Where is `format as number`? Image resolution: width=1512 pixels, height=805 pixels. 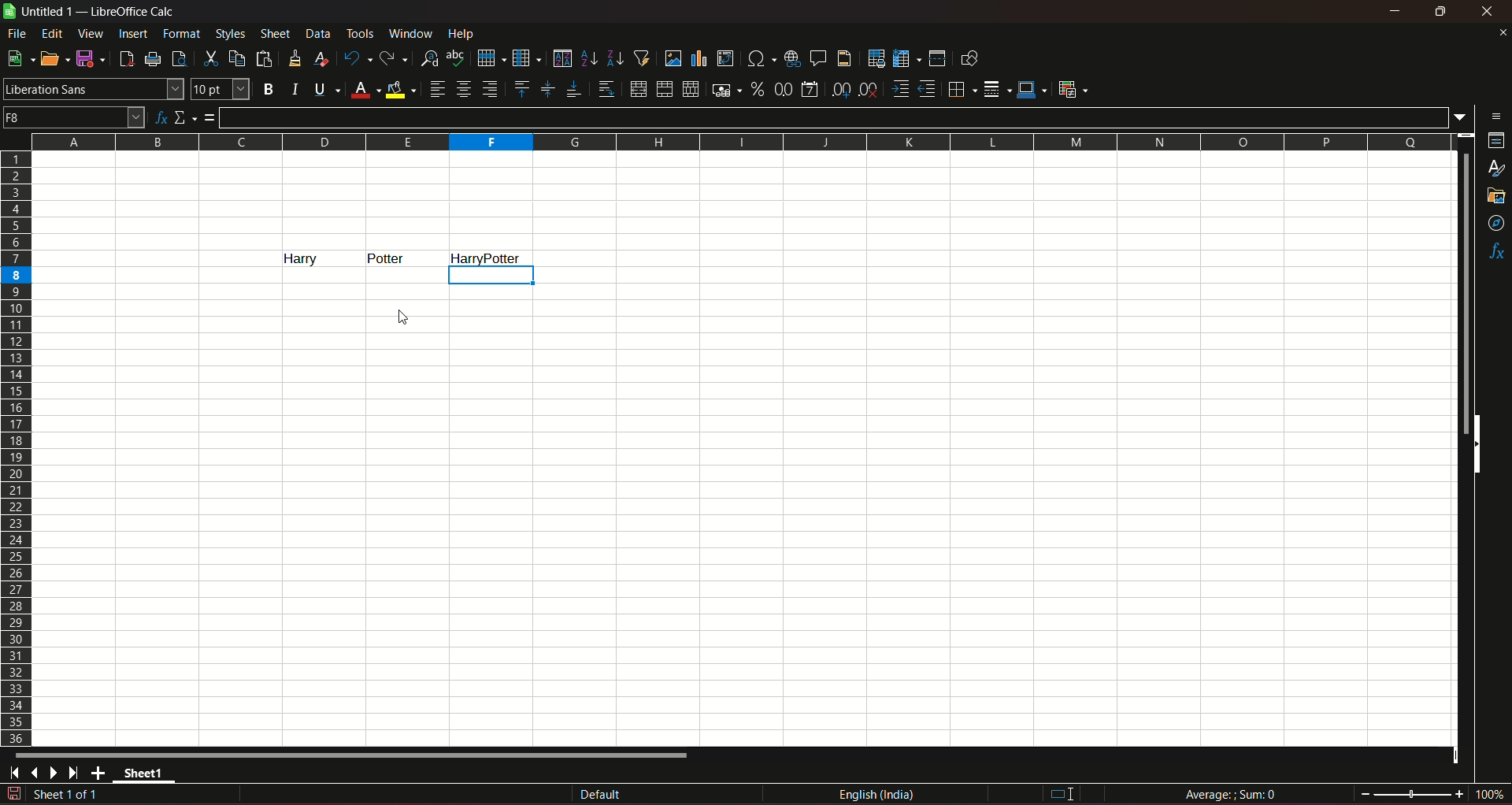 format as number is located at coordinates (783, 88).